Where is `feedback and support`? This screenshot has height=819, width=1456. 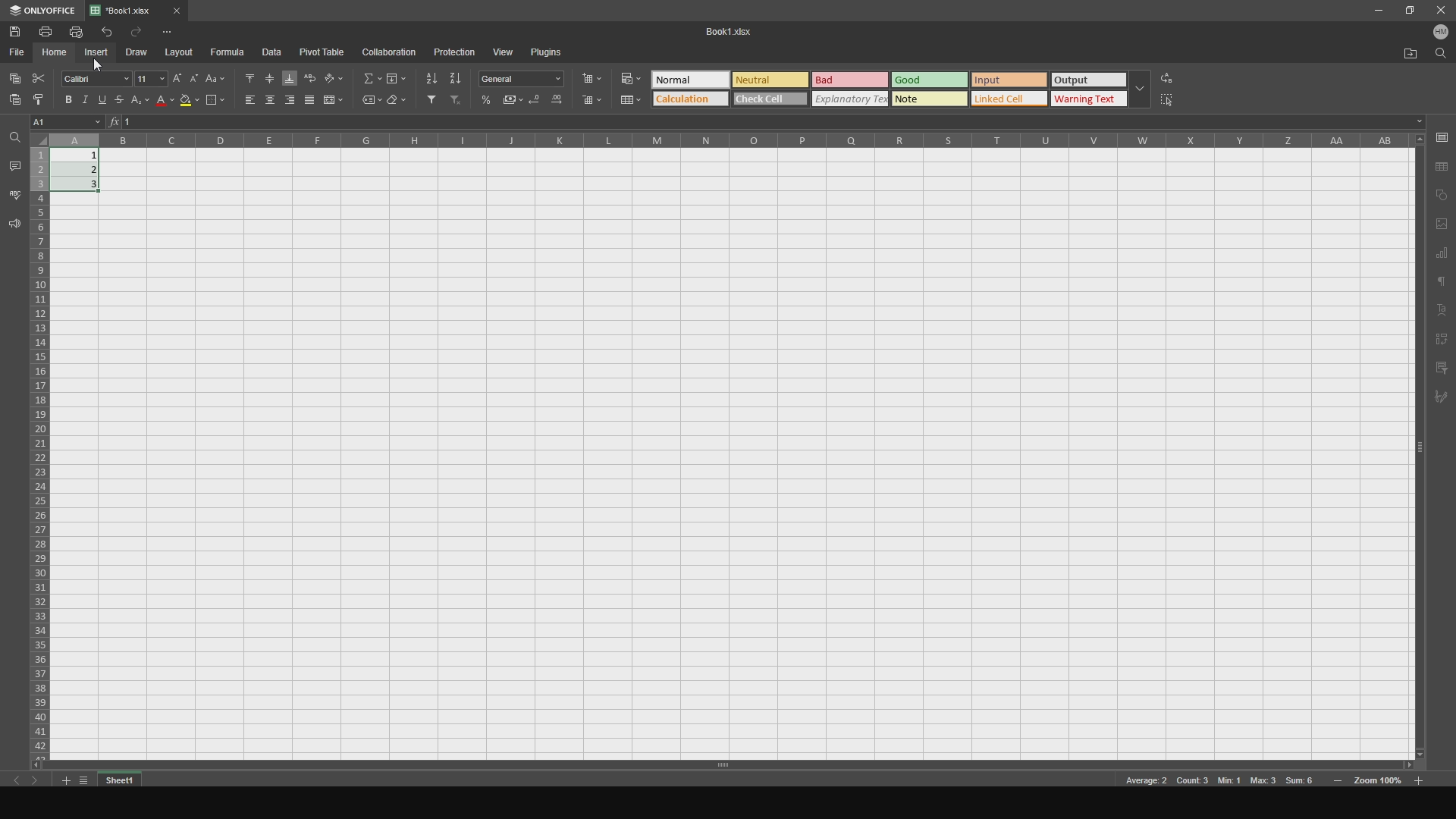 feedback and support is located at coordinates (13, 226).